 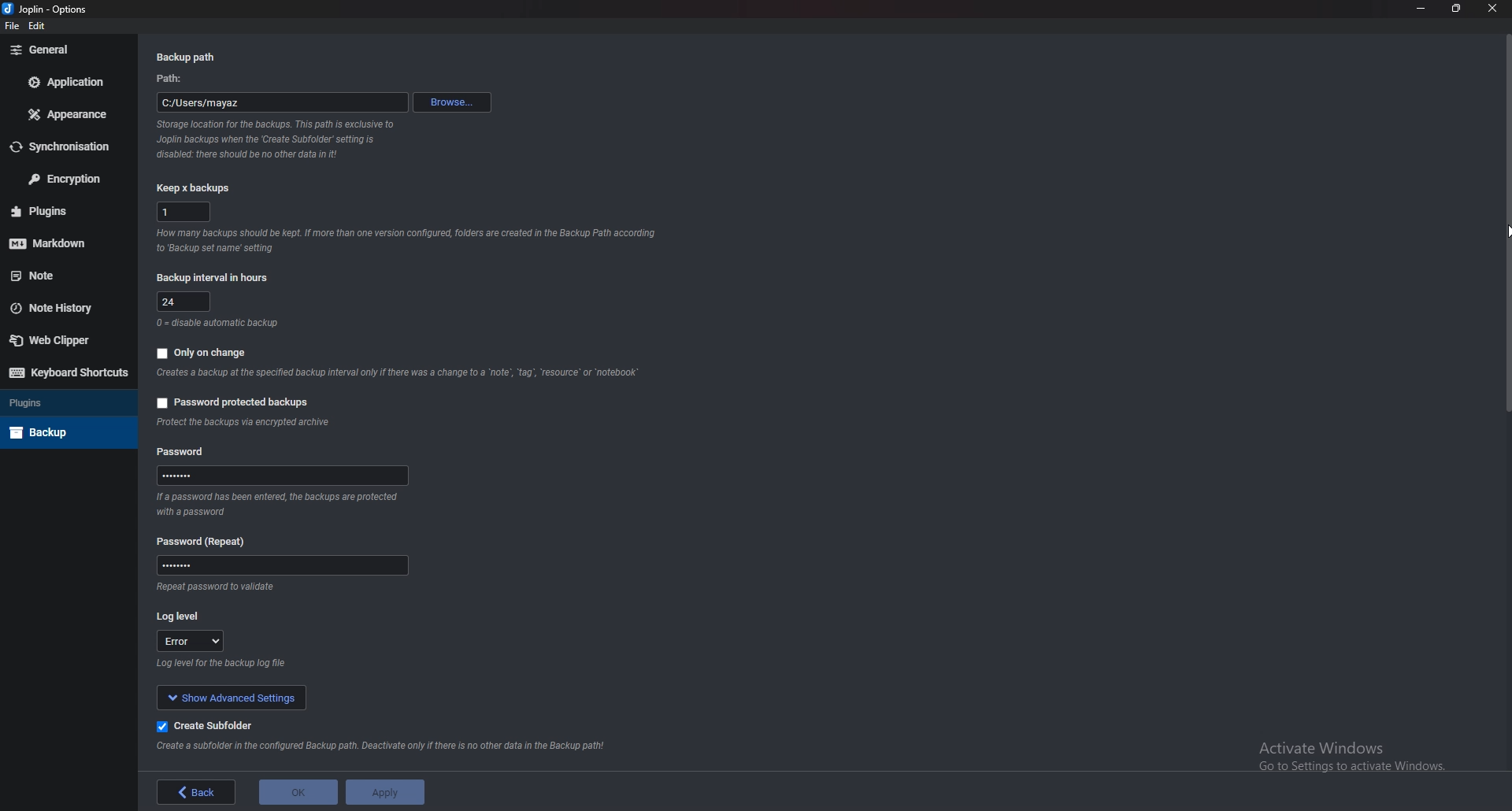 What do you see at coordinates (69, 82) in the screenshot?
I see `Application` at bounding box center [69, 82].